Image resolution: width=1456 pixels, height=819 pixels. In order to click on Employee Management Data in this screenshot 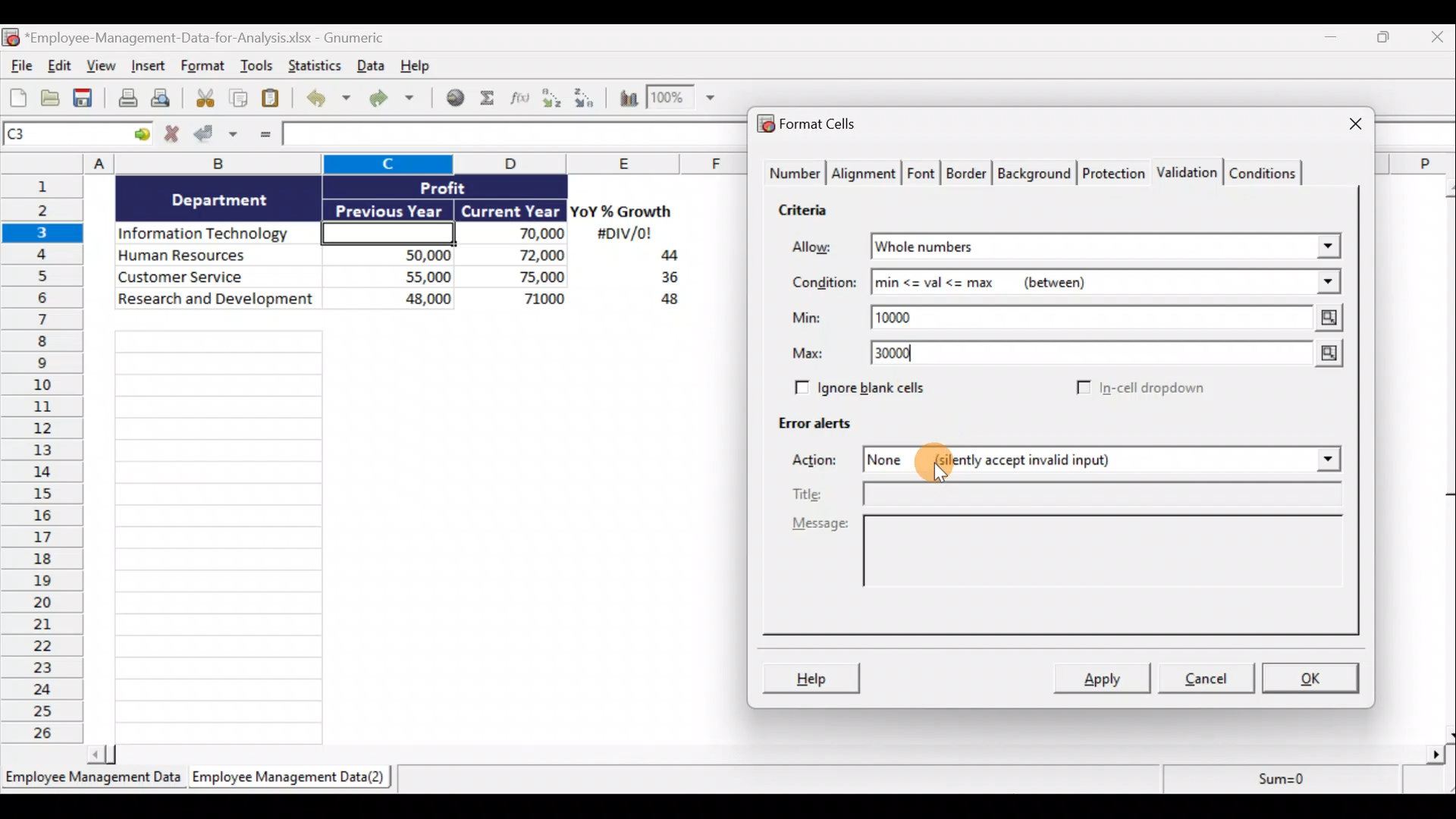, I will do `click(92, 780)`.